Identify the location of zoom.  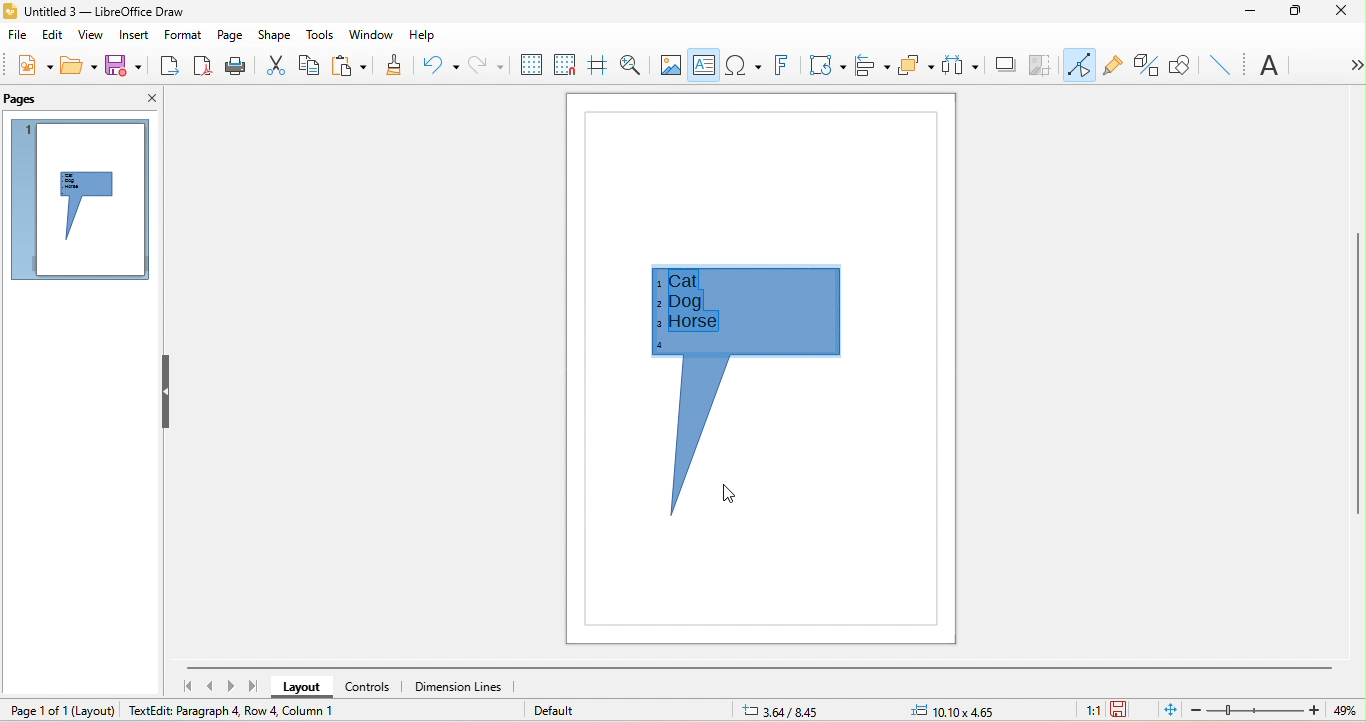
(1272, 711).